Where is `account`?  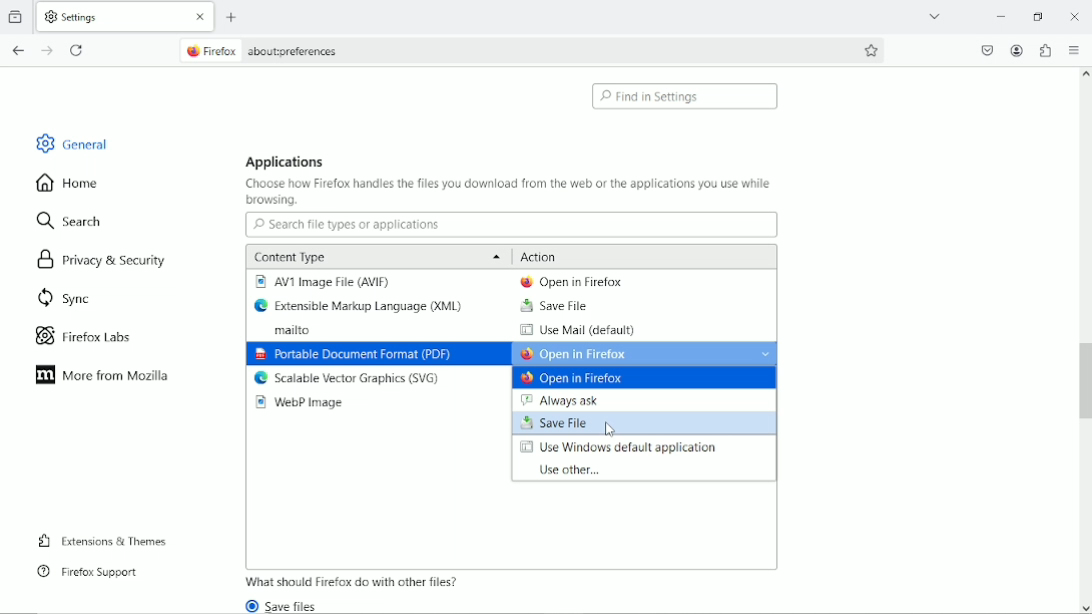
account is located at coordinates (1017, 51).